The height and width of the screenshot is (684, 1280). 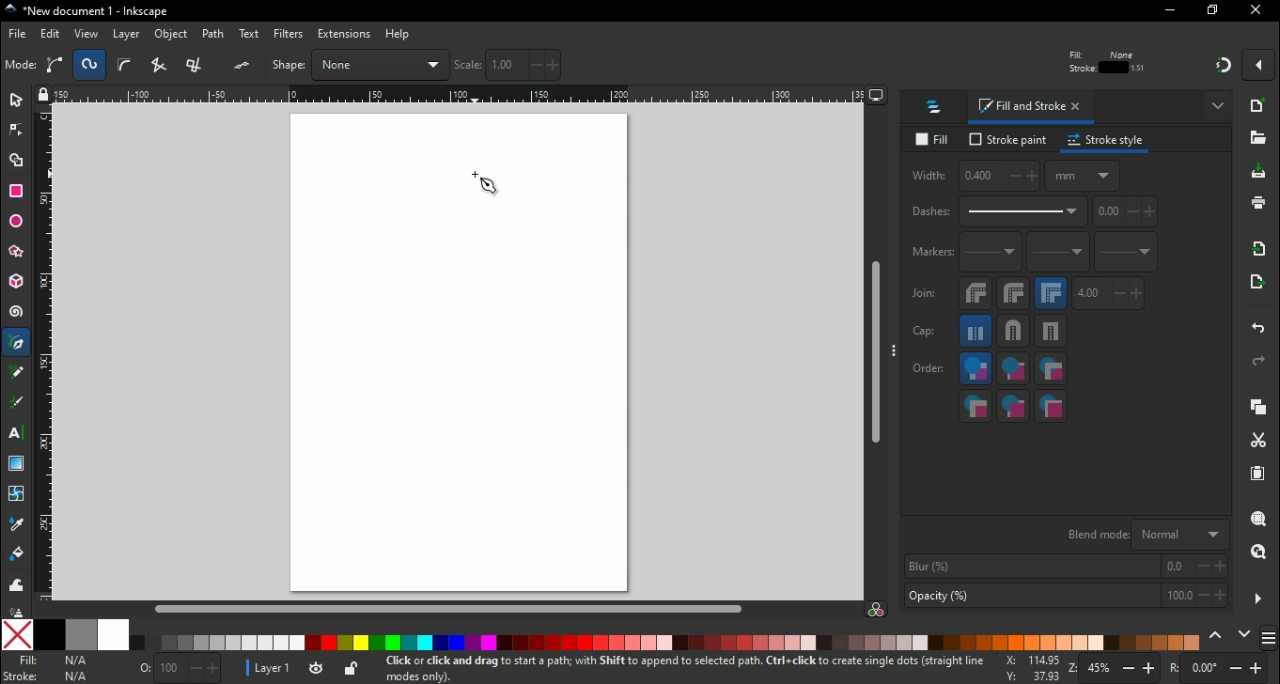 I want to click on stroke paint, so click(x=1006, y=146).